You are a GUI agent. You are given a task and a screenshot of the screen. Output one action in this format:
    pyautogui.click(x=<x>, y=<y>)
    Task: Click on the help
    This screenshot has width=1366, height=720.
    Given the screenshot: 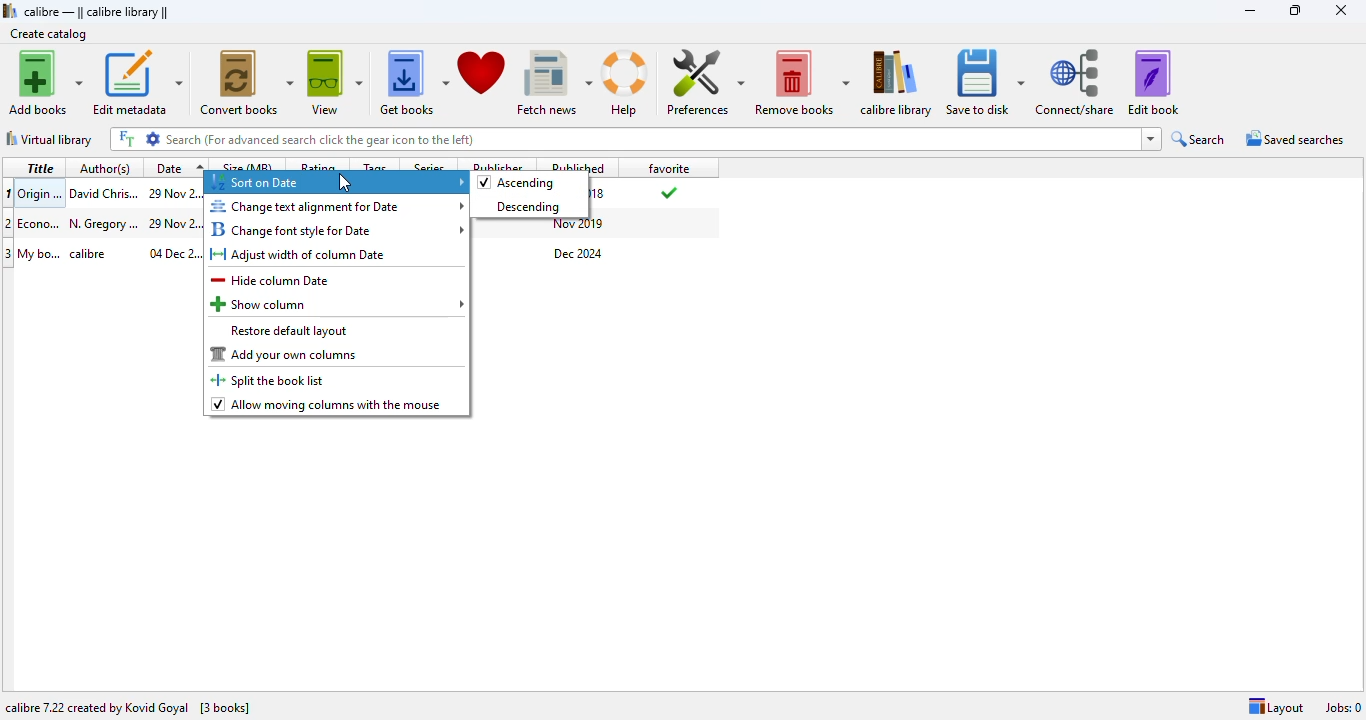 What is the action you would take?
    pyautogui.click(x=627, y=83)
    